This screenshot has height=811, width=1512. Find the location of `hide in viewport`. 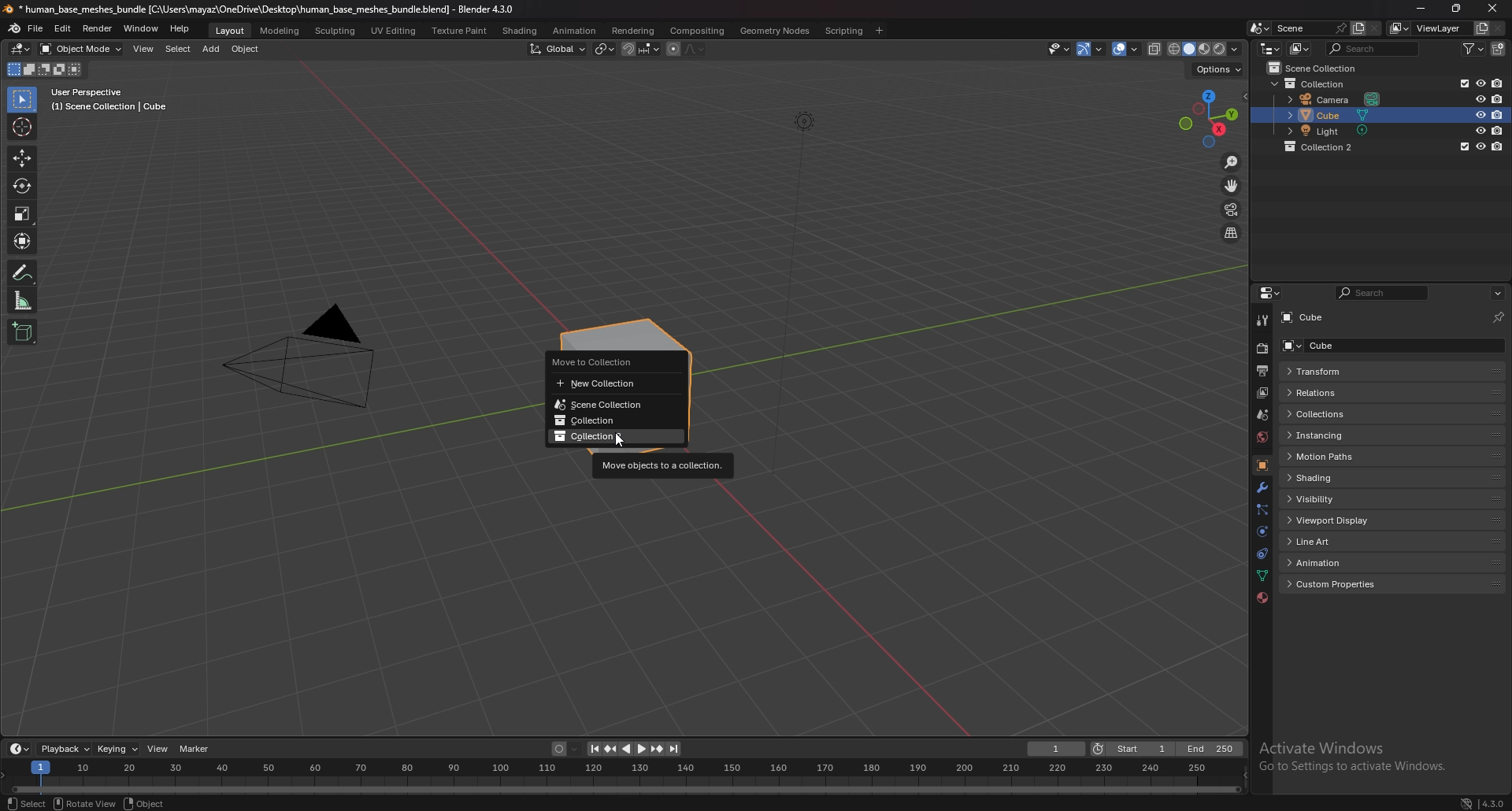

hide in viewport is located at coordinates (1480, 98).